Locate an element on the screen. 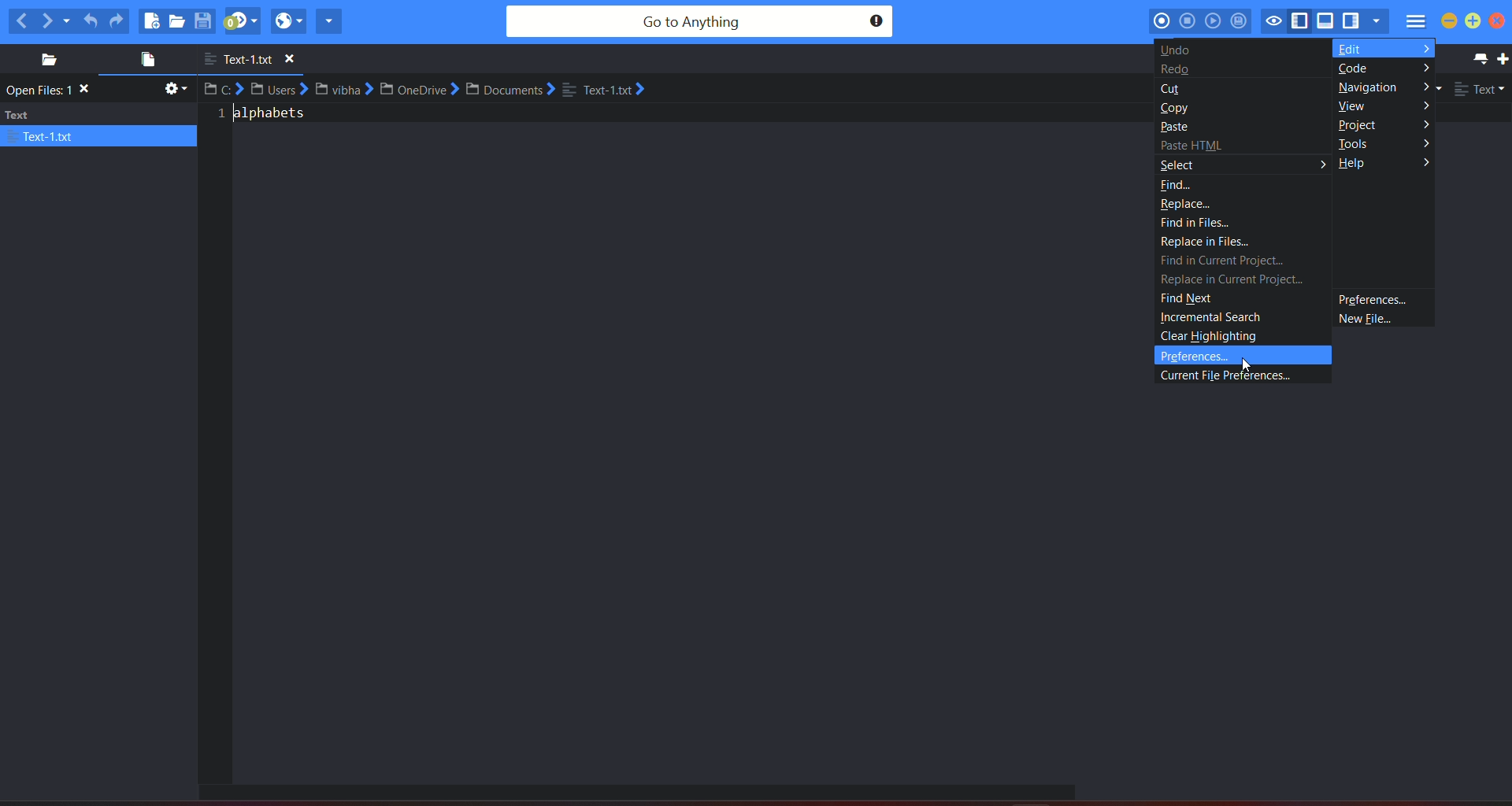 The width and height of the screenshot is (1512, 806). copy is located at coordinates (1180, 109).